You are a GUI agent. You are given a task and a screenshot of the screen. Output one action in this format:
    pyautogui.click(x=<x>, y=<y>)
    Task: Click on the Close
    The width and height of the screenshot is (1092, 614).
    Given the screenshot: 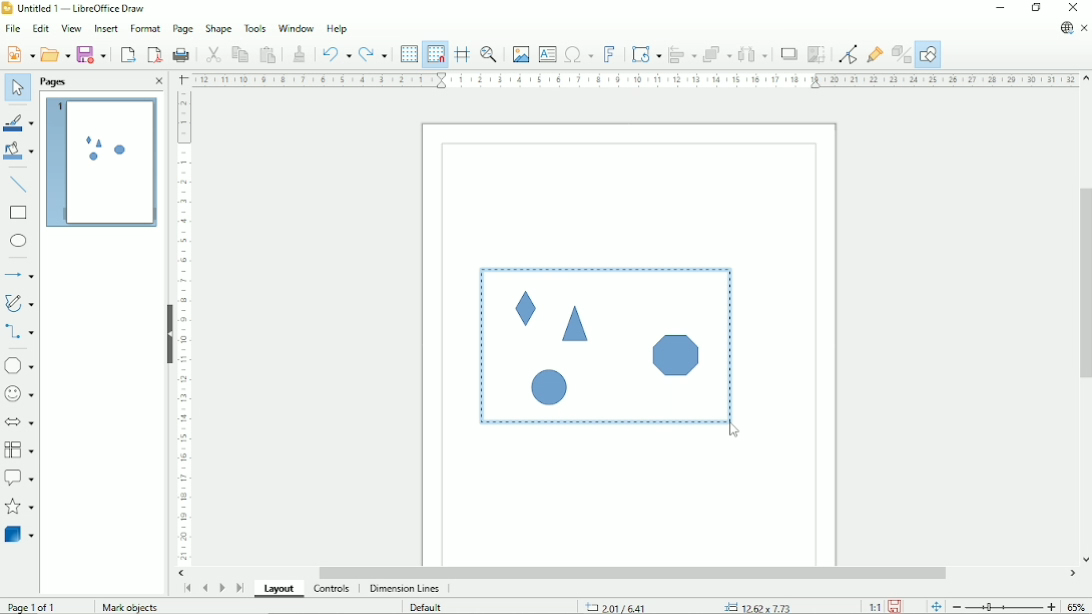 What is the action you would take?
    pyautogui.click(x=156, y=81)
    